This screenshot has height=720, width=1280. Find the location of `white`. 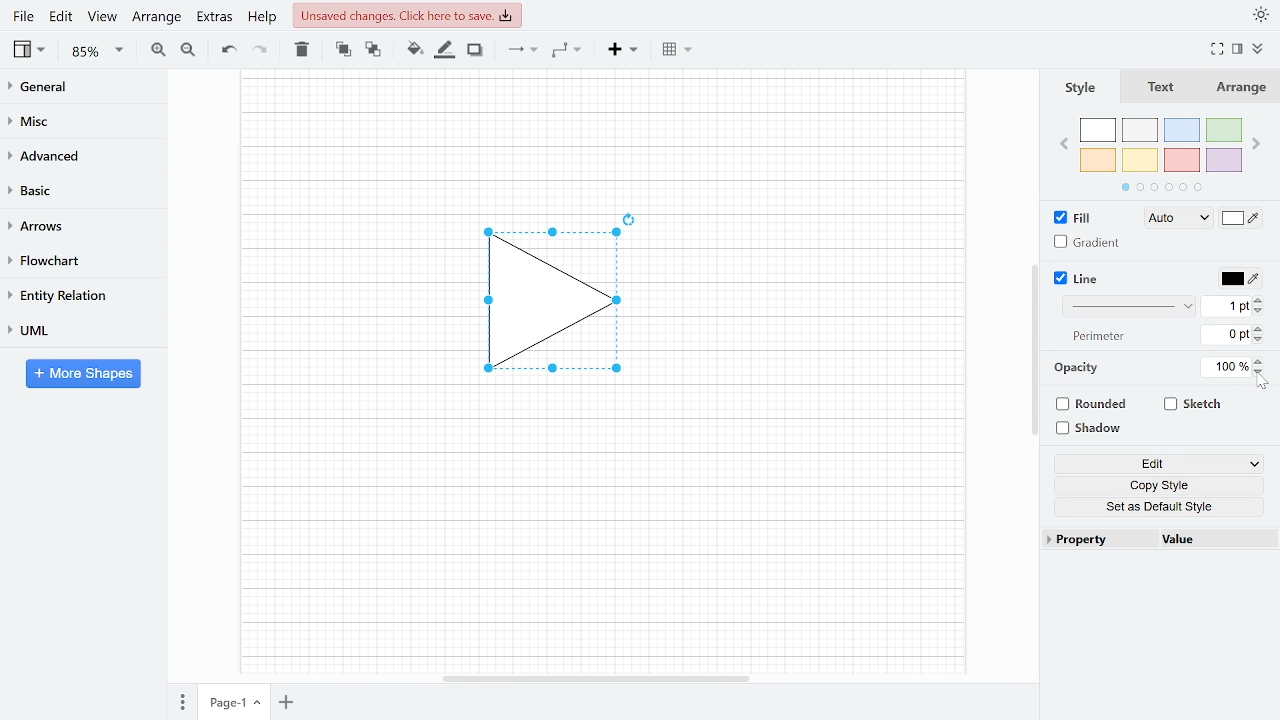

white is located at coordinates (1098, 131).